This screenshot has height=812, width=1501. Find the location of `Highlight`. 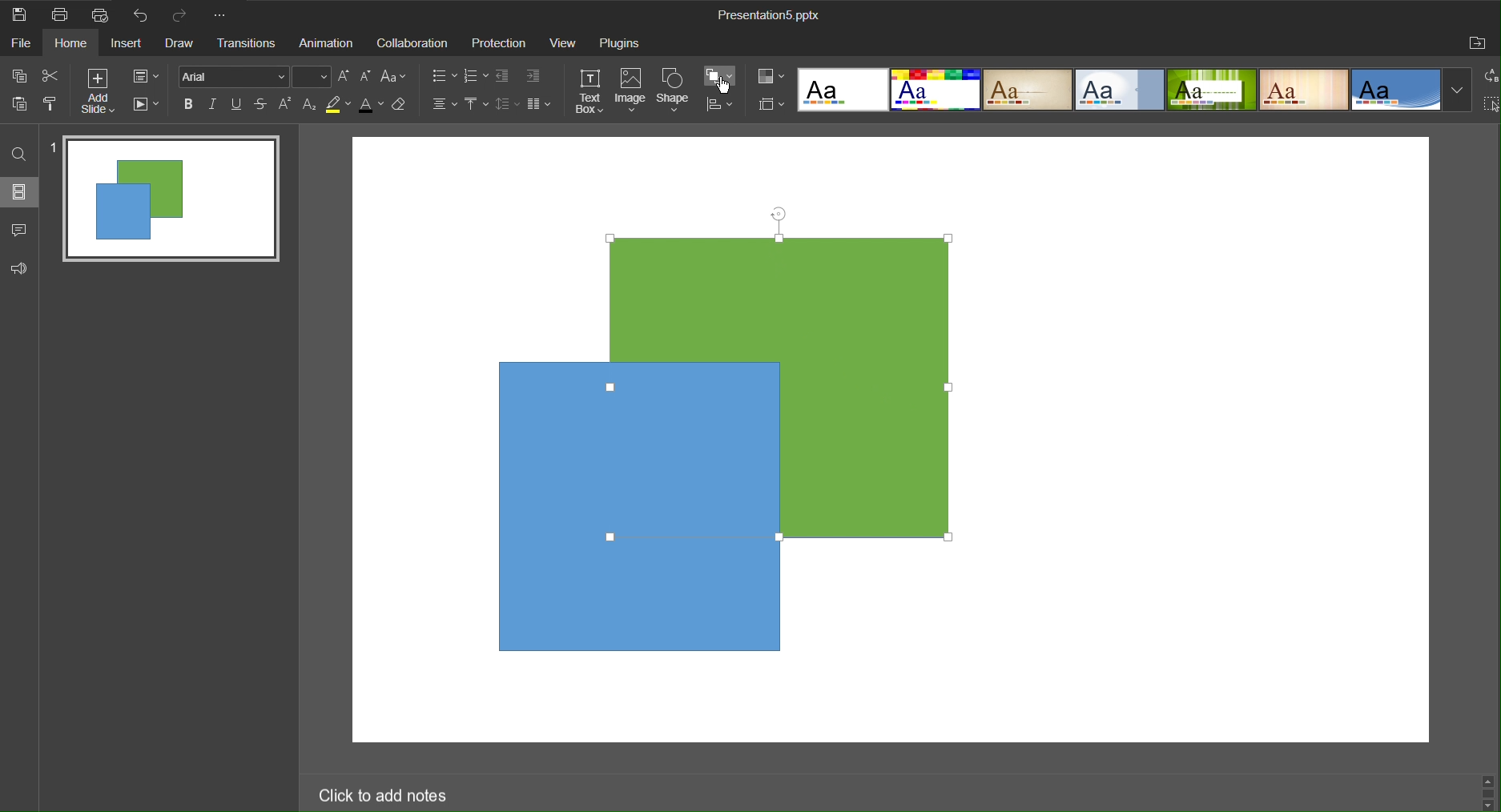

Highlight is located at coordinates (340, 107).